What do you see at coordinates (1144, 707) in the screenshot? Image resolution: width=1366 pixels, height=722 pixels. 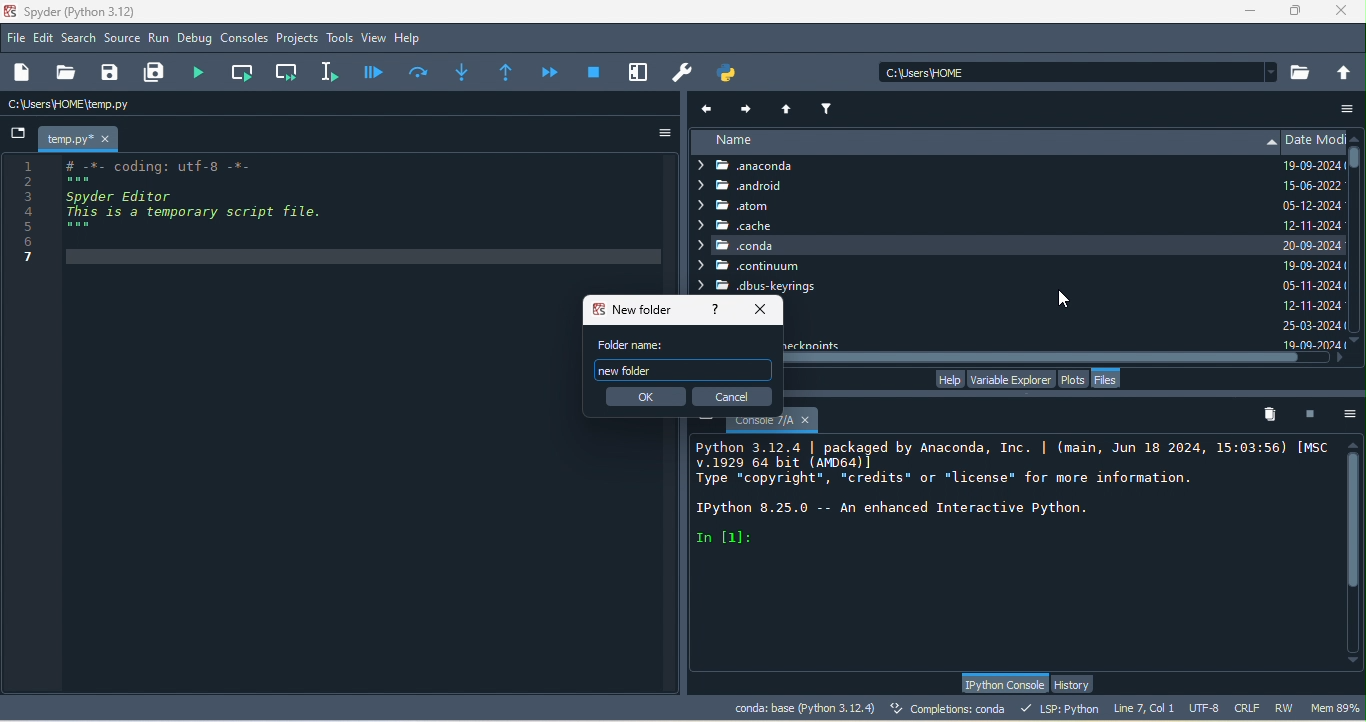 I see `line 7, col 1` at bounding box center [1144, 707].